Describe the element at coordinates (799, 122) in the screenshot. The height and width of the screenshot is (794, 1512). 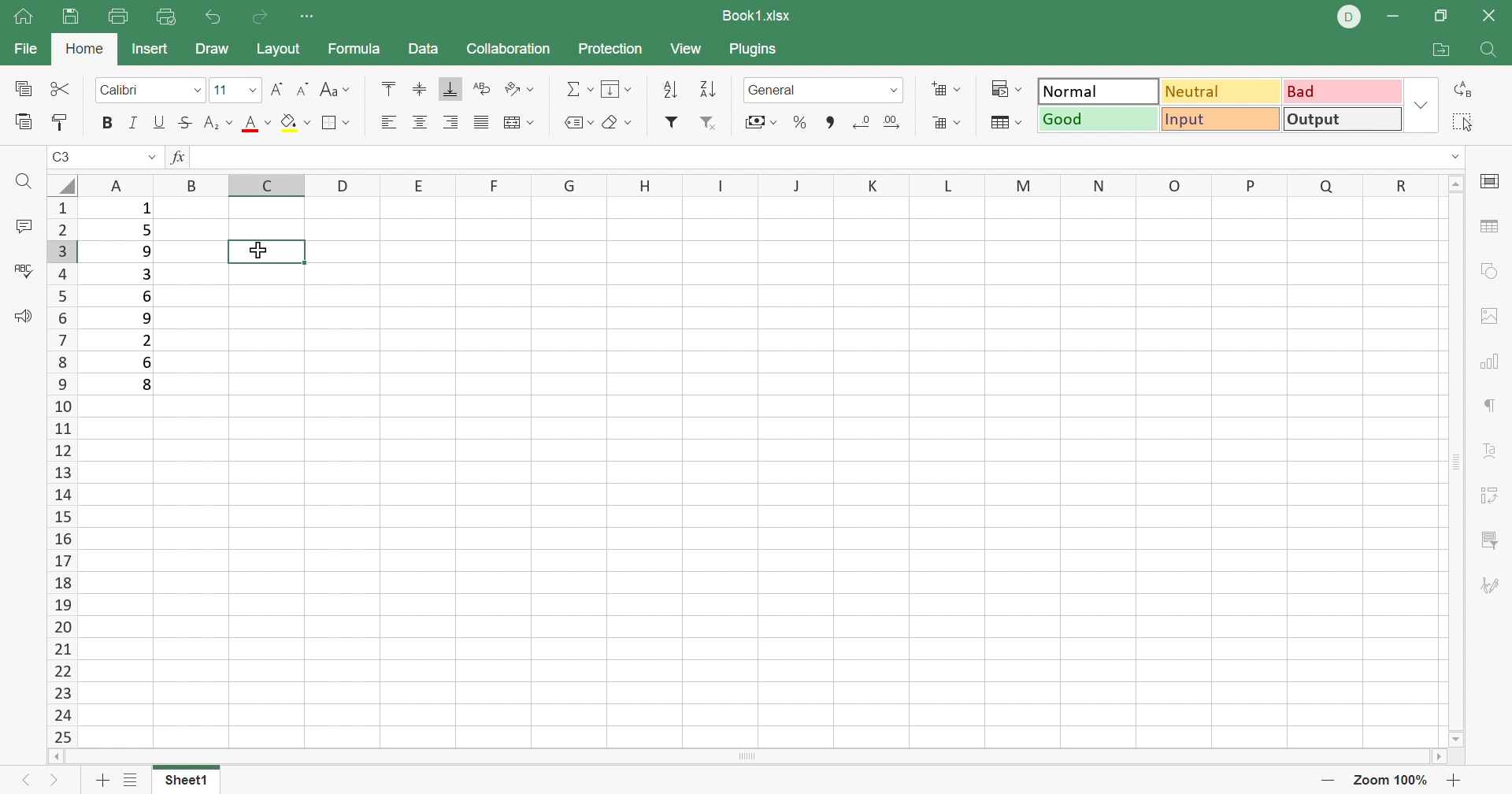
I see `Percent style` at that location.